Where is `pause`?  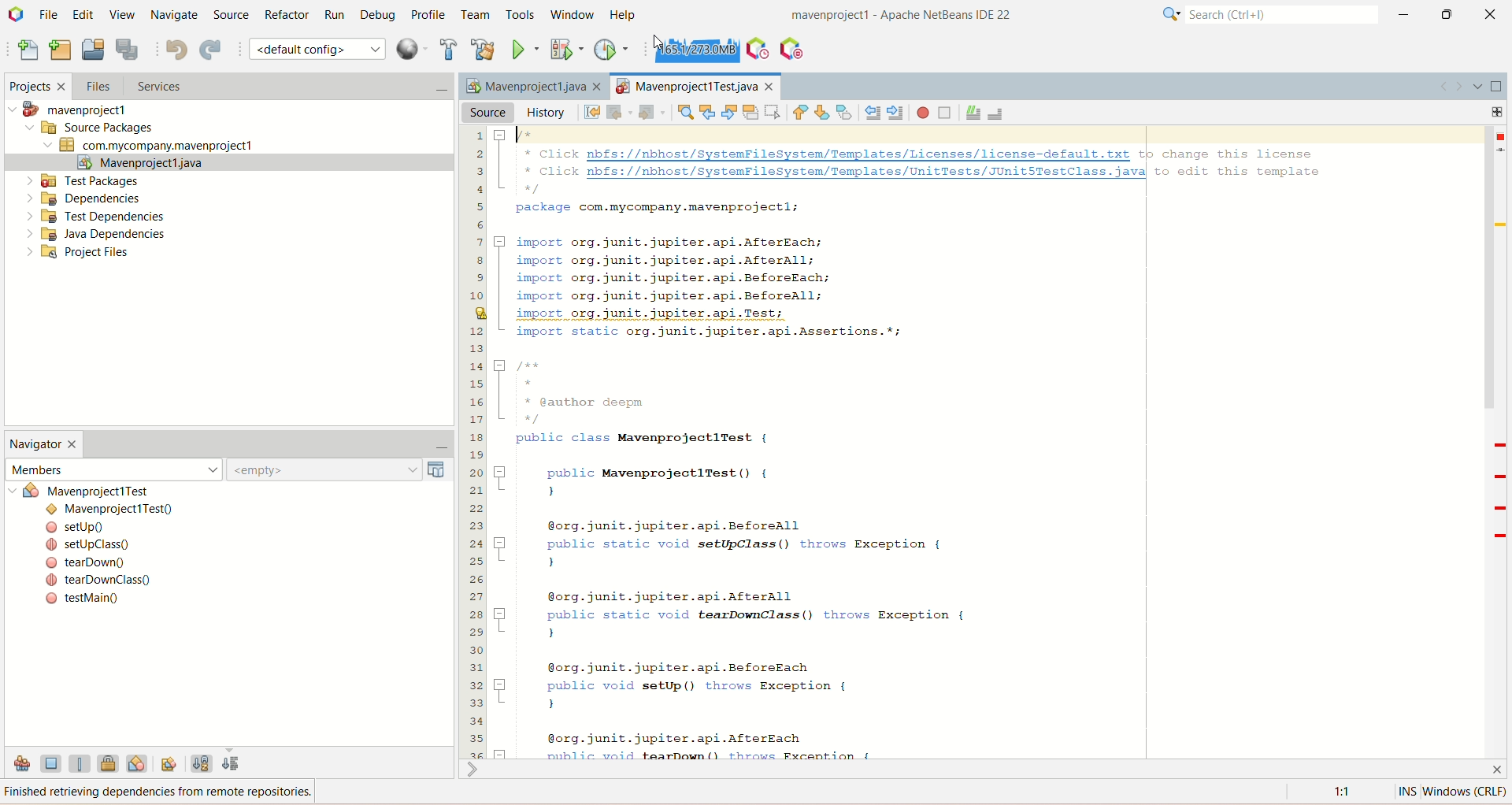
pause is located at coordinates (791, 45).